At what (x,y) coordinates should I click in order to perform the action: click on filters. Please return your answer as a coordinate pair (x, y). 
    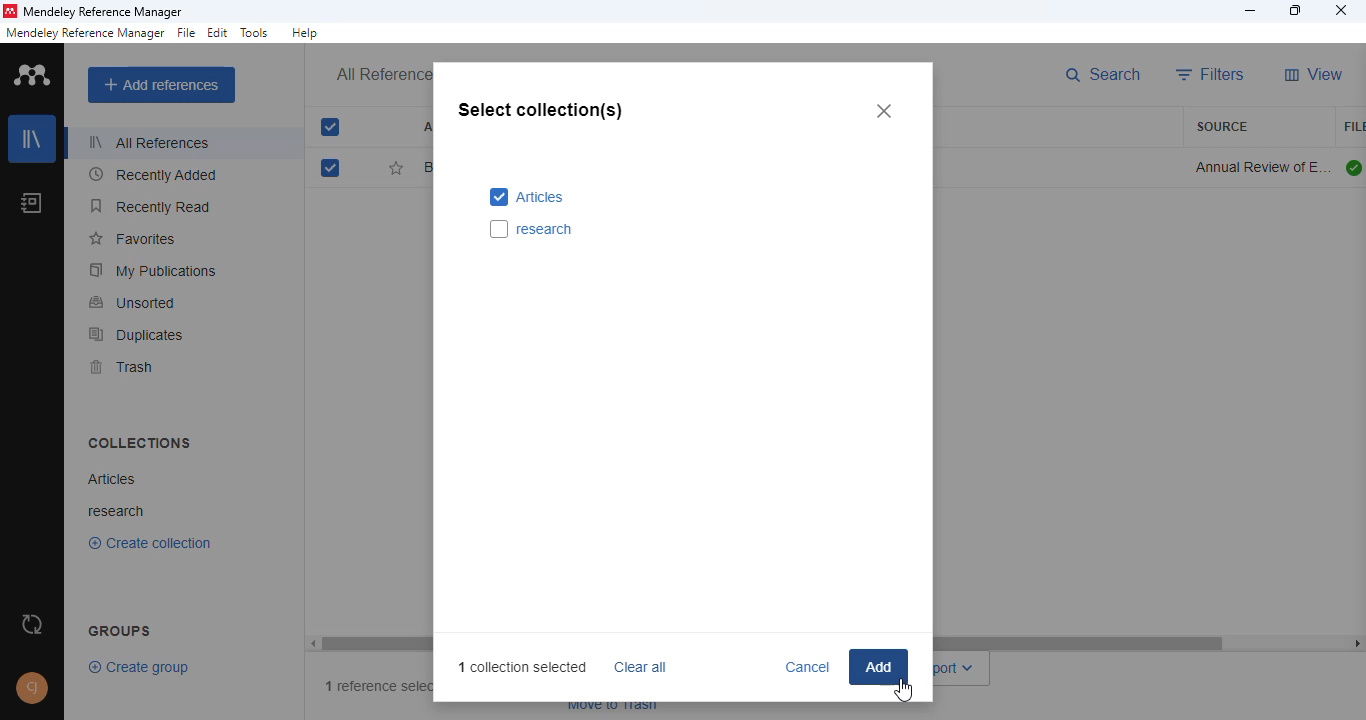
    Looking at the image, I should click on (1211, 74).